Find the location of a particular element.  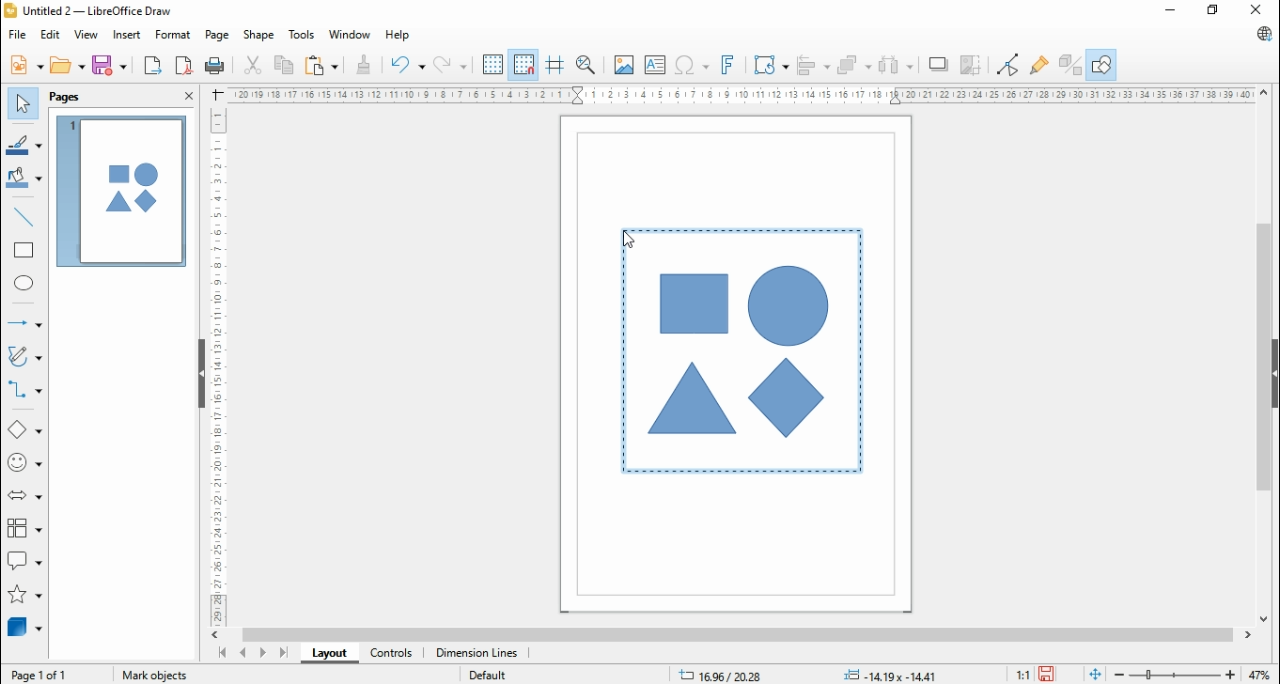

shape 3 is located at coordinates (787, 307).